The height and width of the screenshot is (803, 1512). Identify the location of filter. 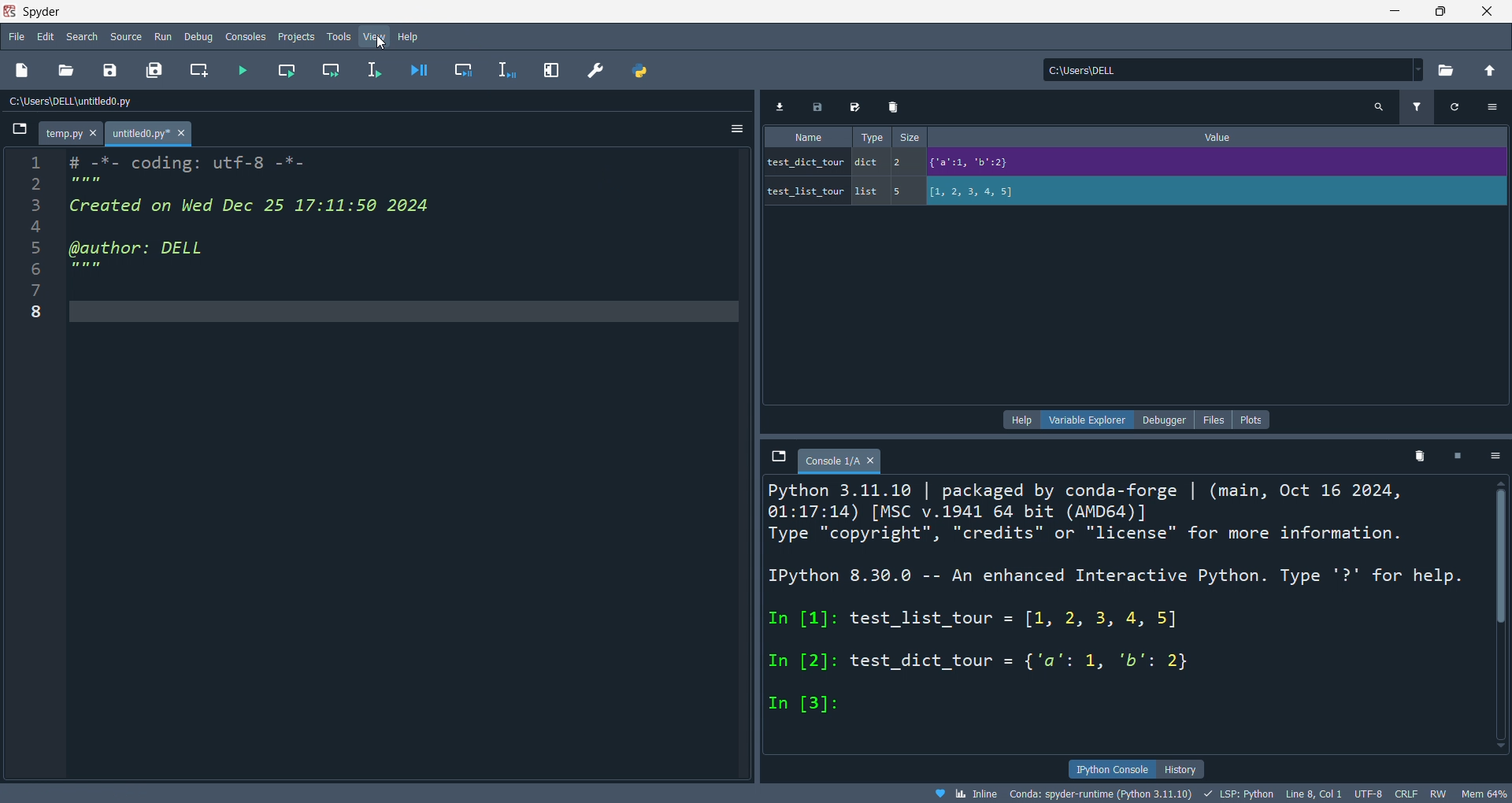
(1415, 109).